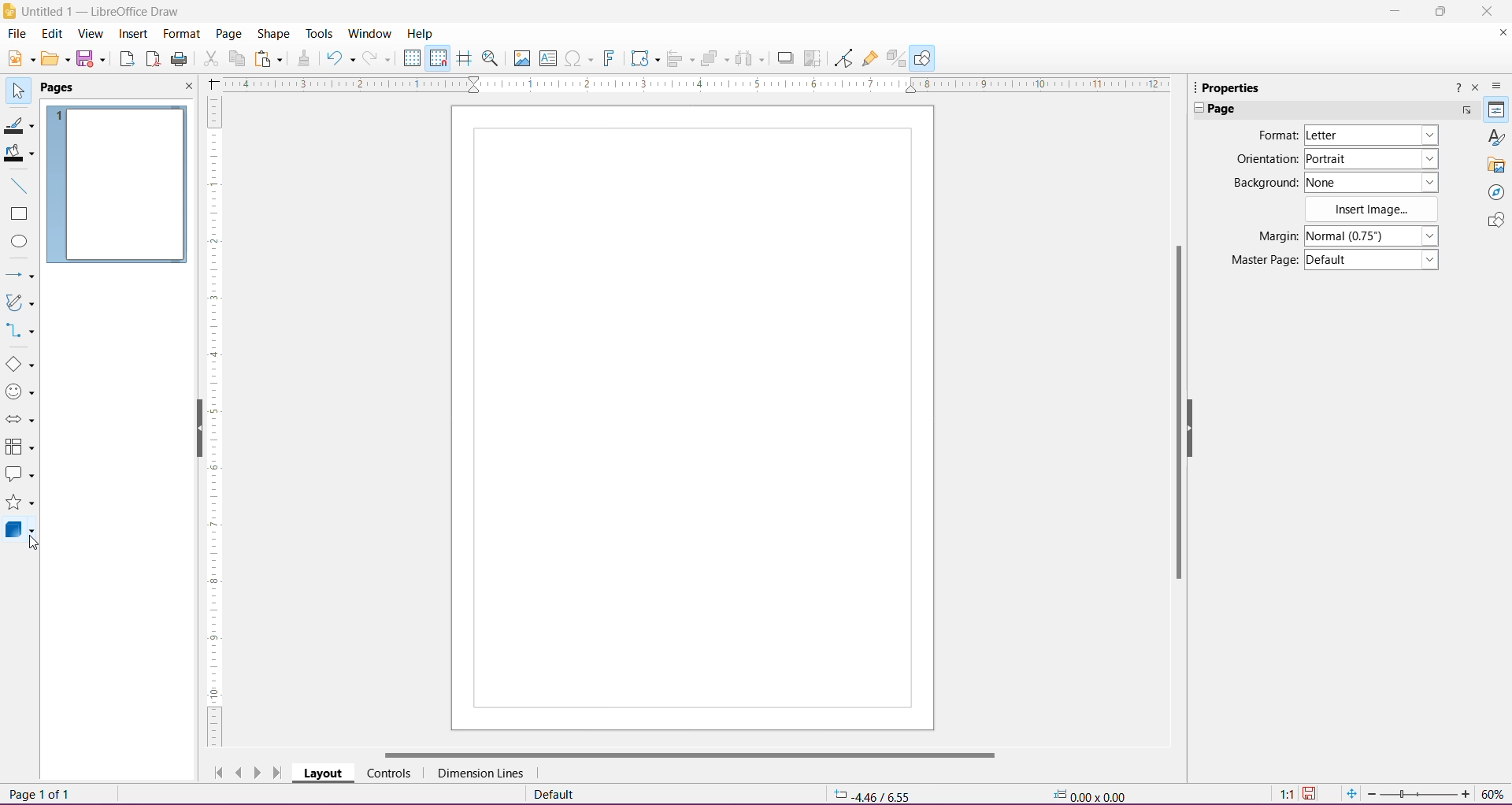 This screenshot has height=805, width=1512. What do you see at coordinates (1494, 794) in the screenshot?
I see `Zoom Factor` at bounding box center [1494, 794].